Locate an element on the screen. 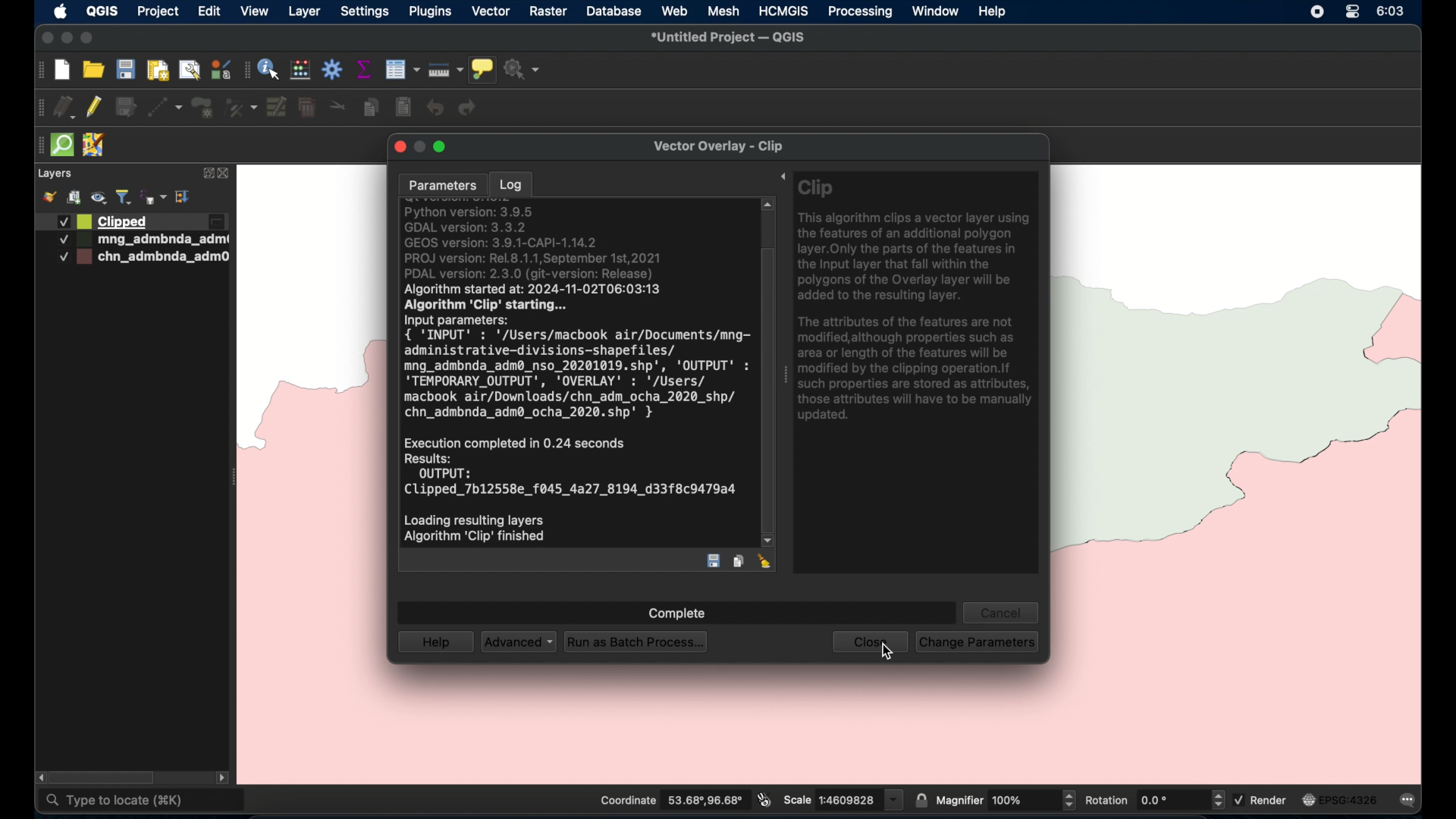 The width and height of the screenshot is (1456, 819). open project is located at coordinates (92, 69).